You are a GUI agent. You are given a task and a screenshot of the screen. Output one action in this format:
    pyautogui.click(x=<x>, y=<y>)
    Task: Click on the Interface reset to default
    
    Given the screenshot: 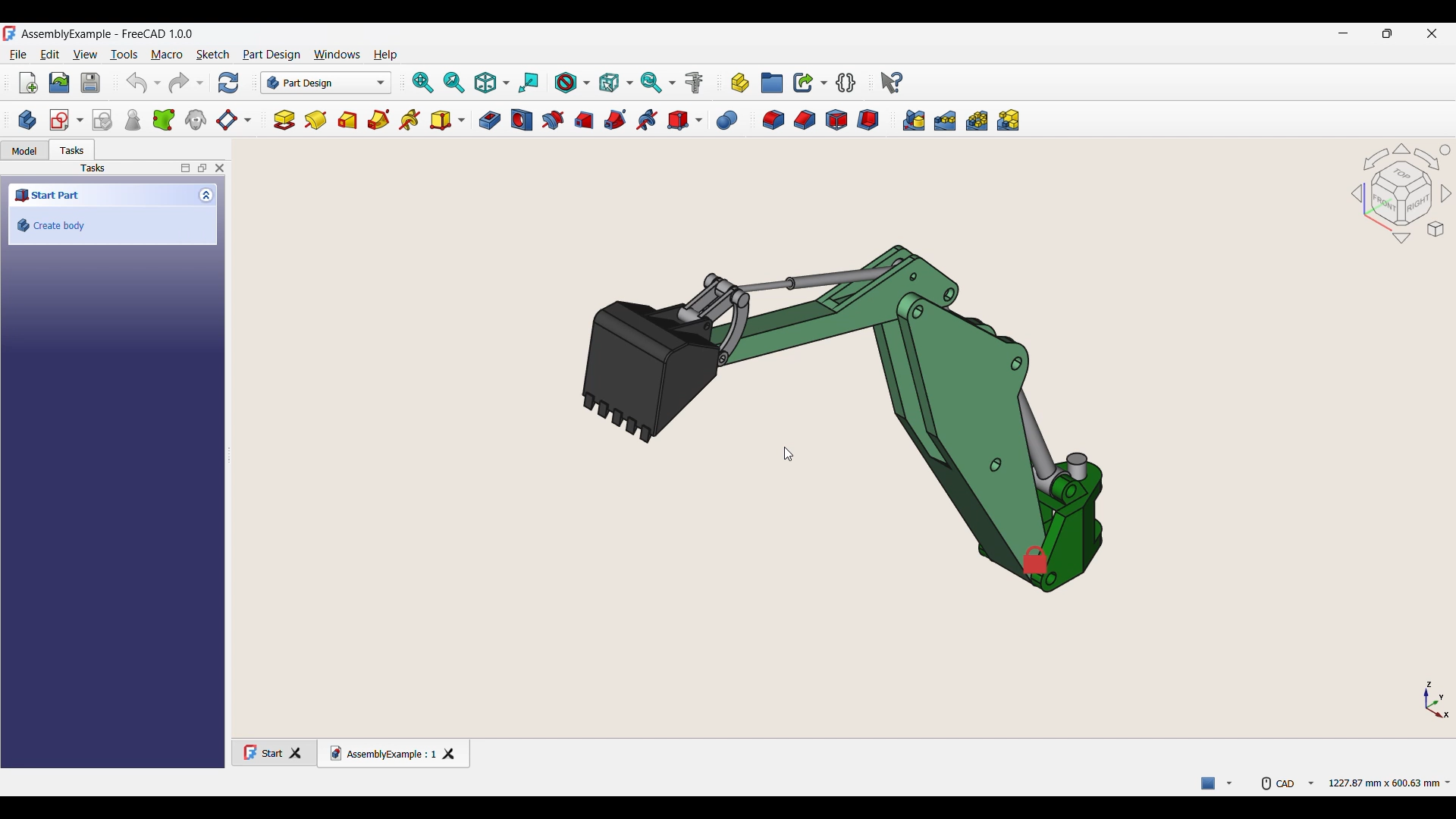 What is the action you would take?
    pyautogui.click(x=1185, y=73)
    